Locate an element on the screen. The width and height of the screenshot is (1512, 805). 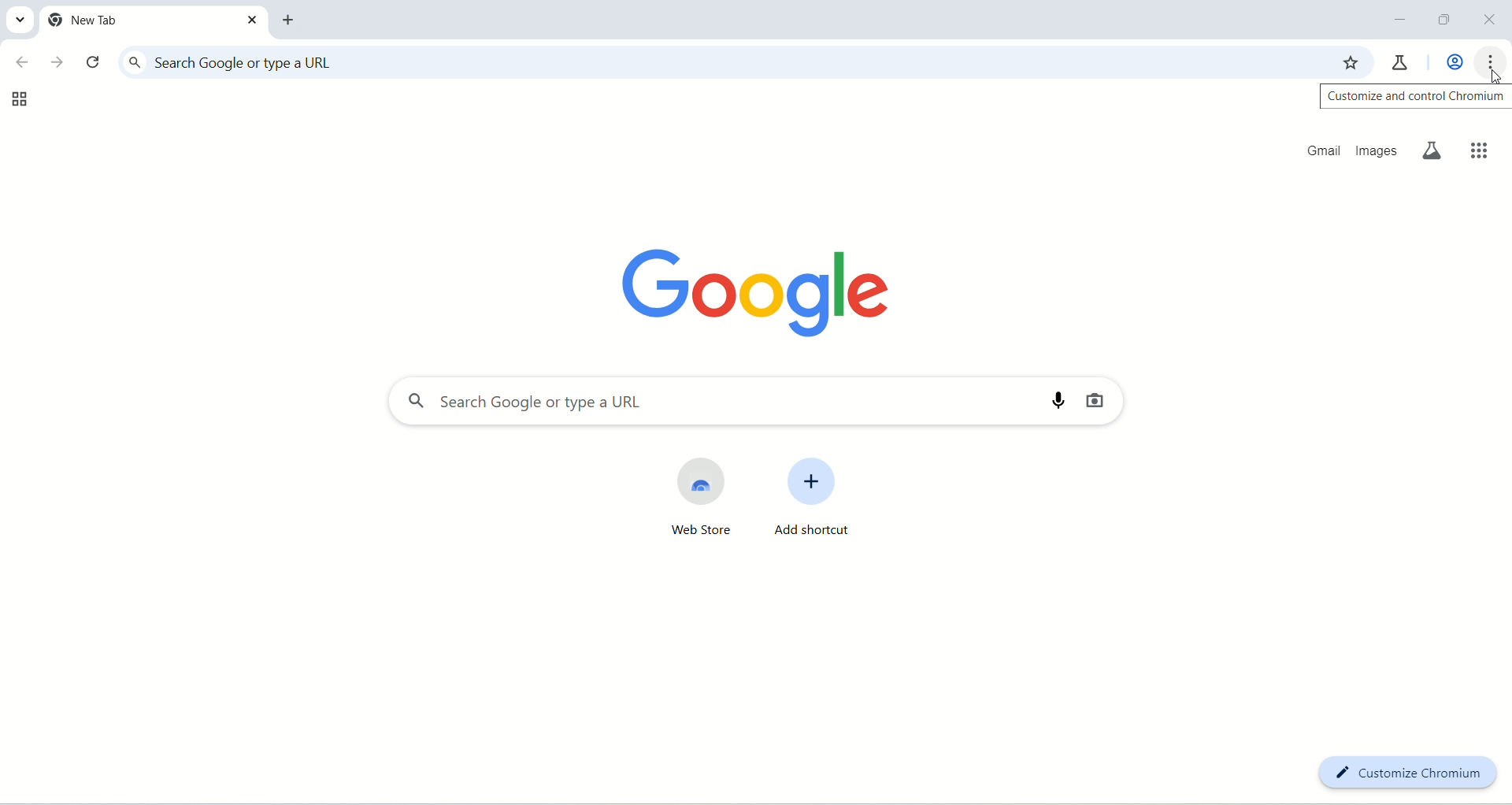
search tabs is located at coordinates (21, 22).